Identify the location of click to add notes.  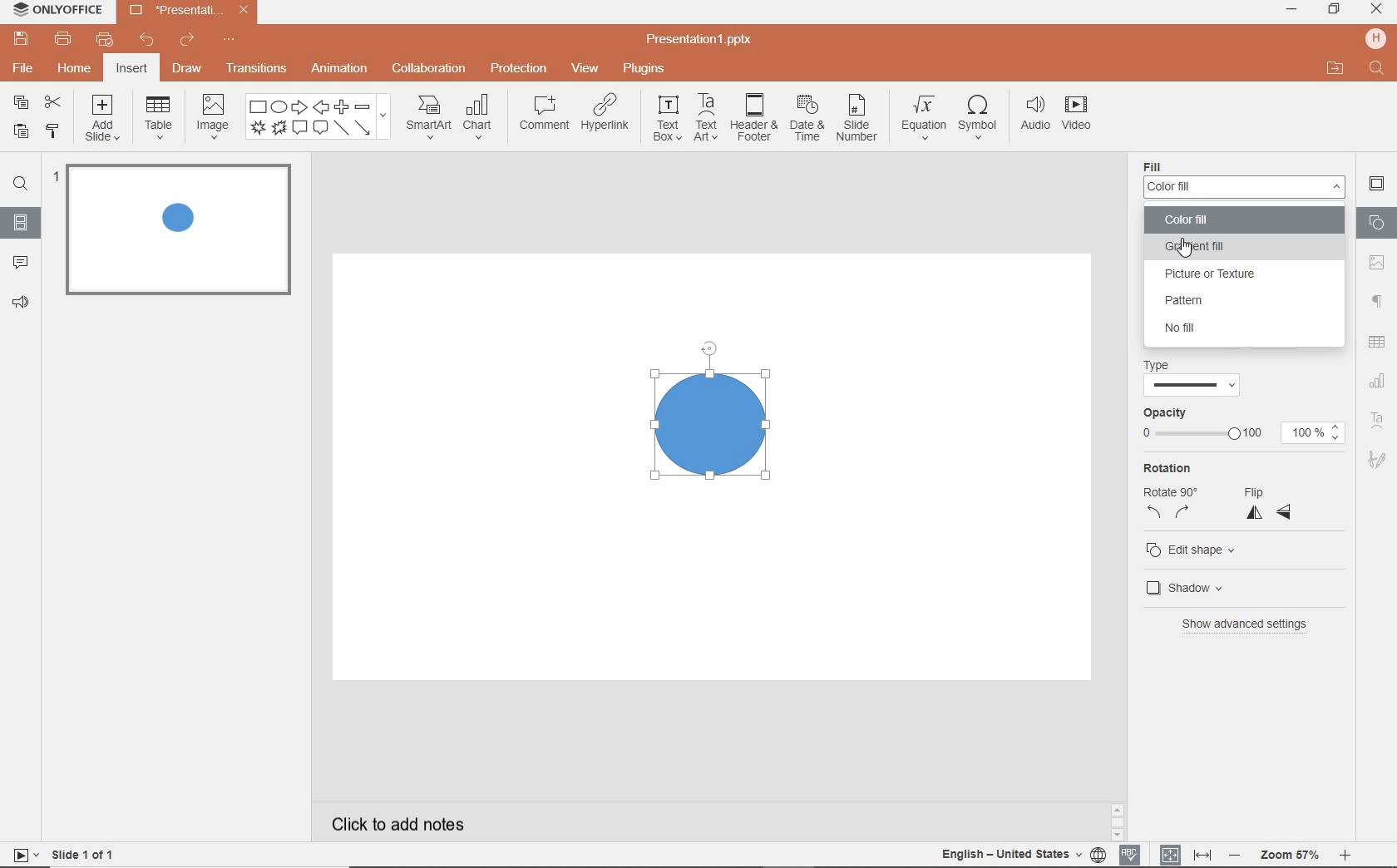
(390, 823).